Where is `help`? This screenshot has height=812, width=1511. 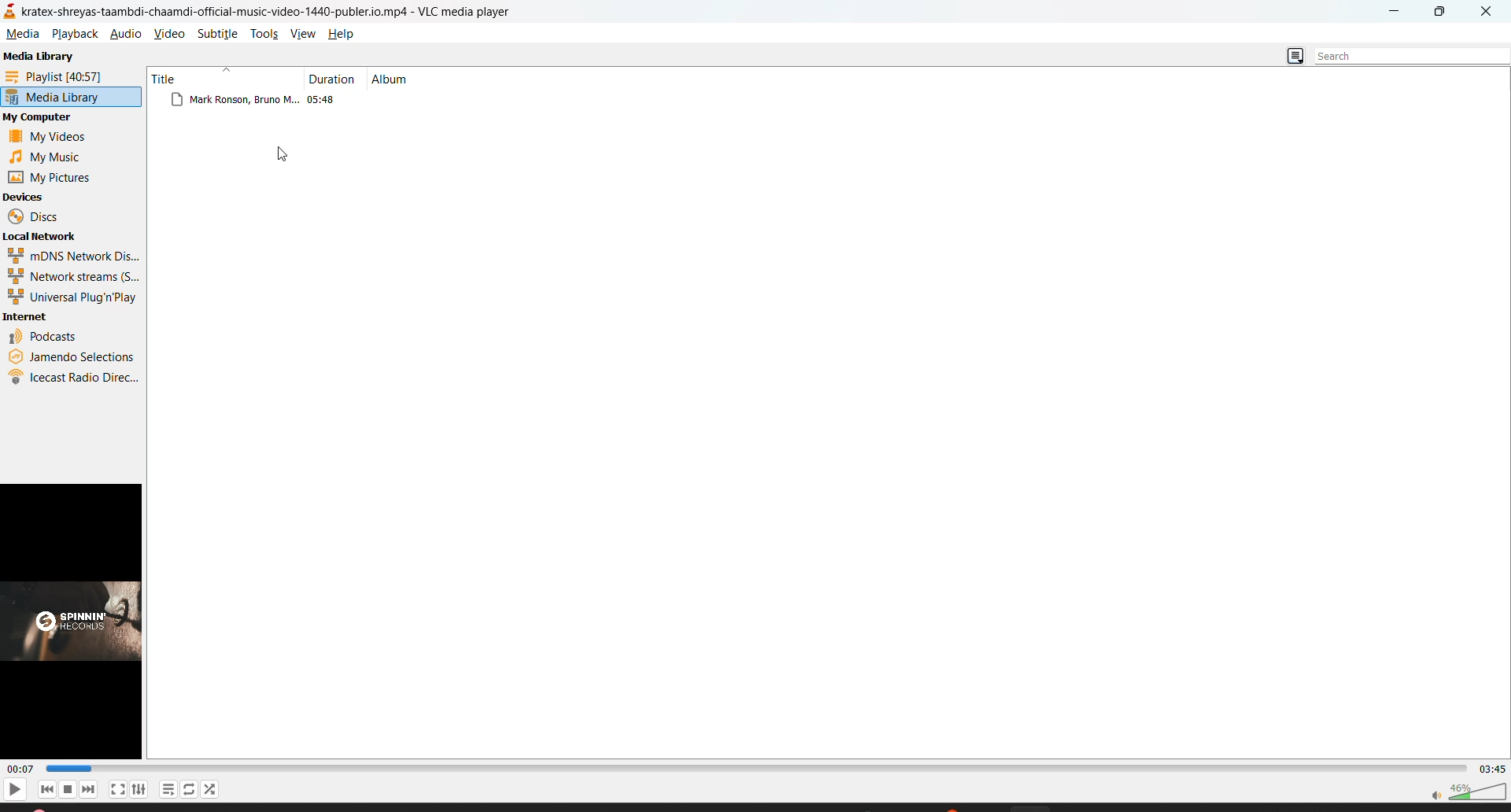
help is located at coordinates (340, 34).